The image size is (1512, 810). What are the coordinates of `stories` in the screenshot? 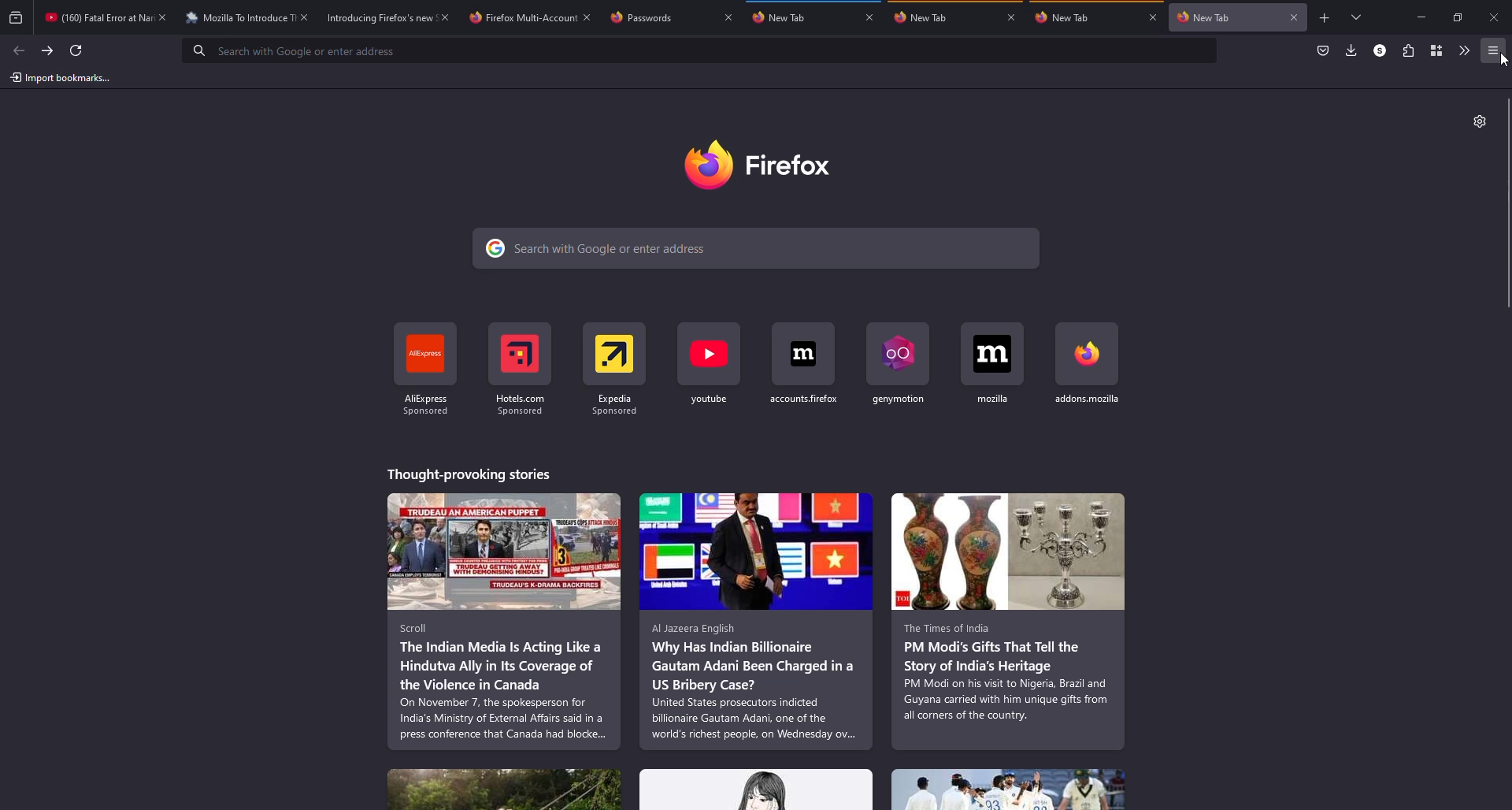 It's located at (504, 790).